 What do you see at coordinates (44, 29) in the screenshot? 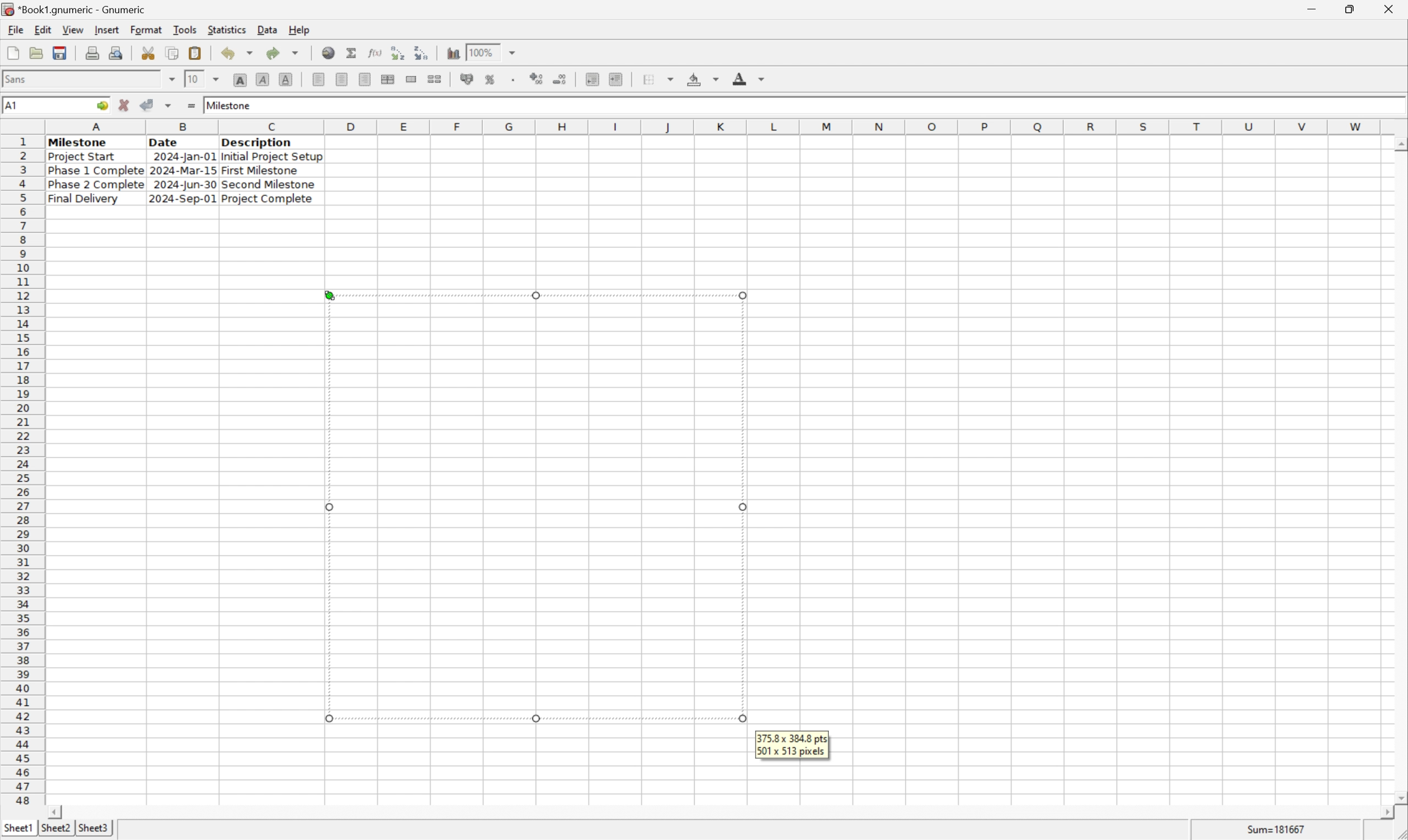
I see `edit` at bounding box center [44, 29].